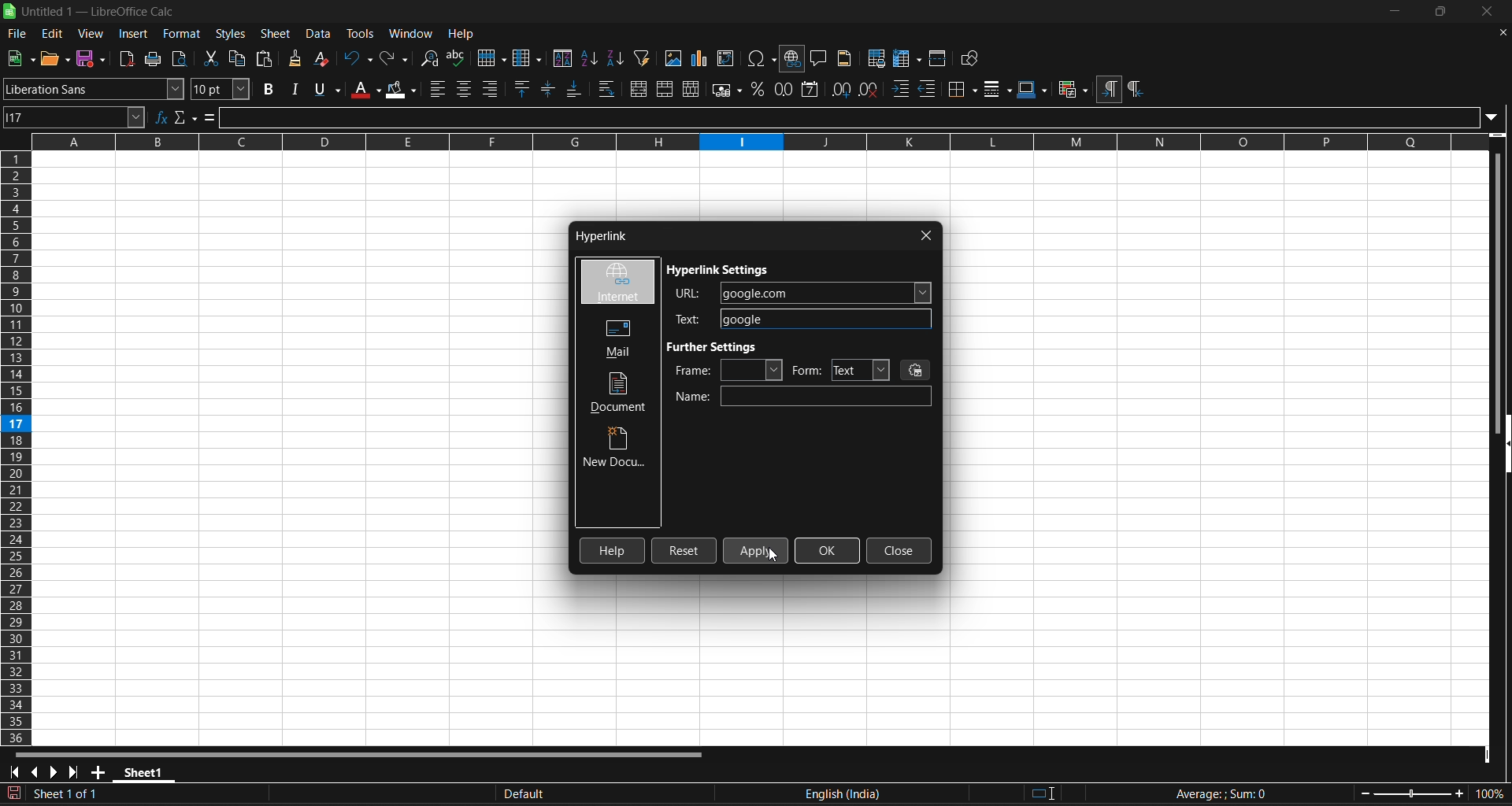 This screenshot has width=1512, height=806. Describe the element at coordinates (324, 60) in the screenshot. I see `clear direct formatting` at that location.